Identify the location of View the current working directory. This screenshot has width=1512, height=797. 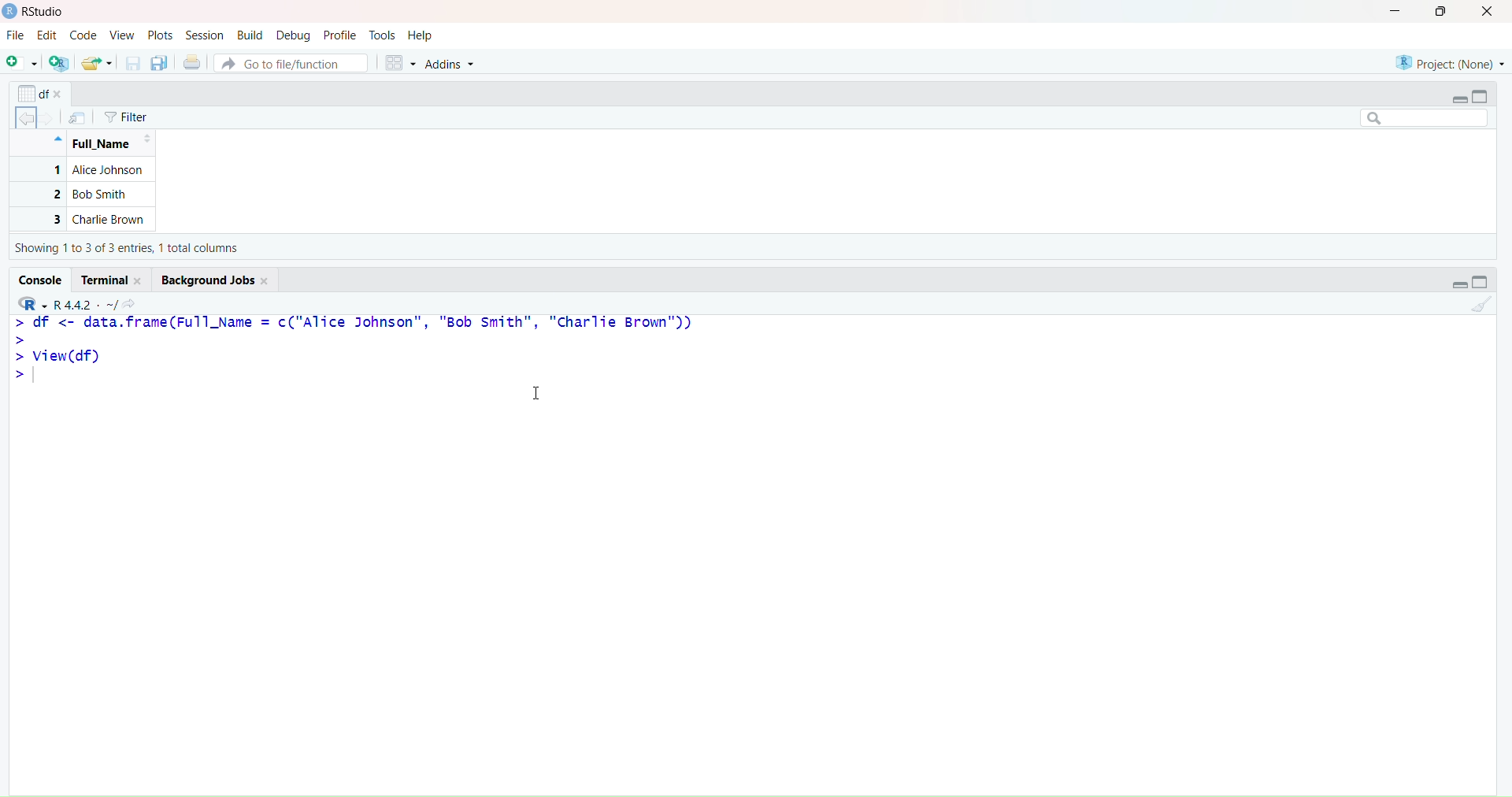
(135, 302).